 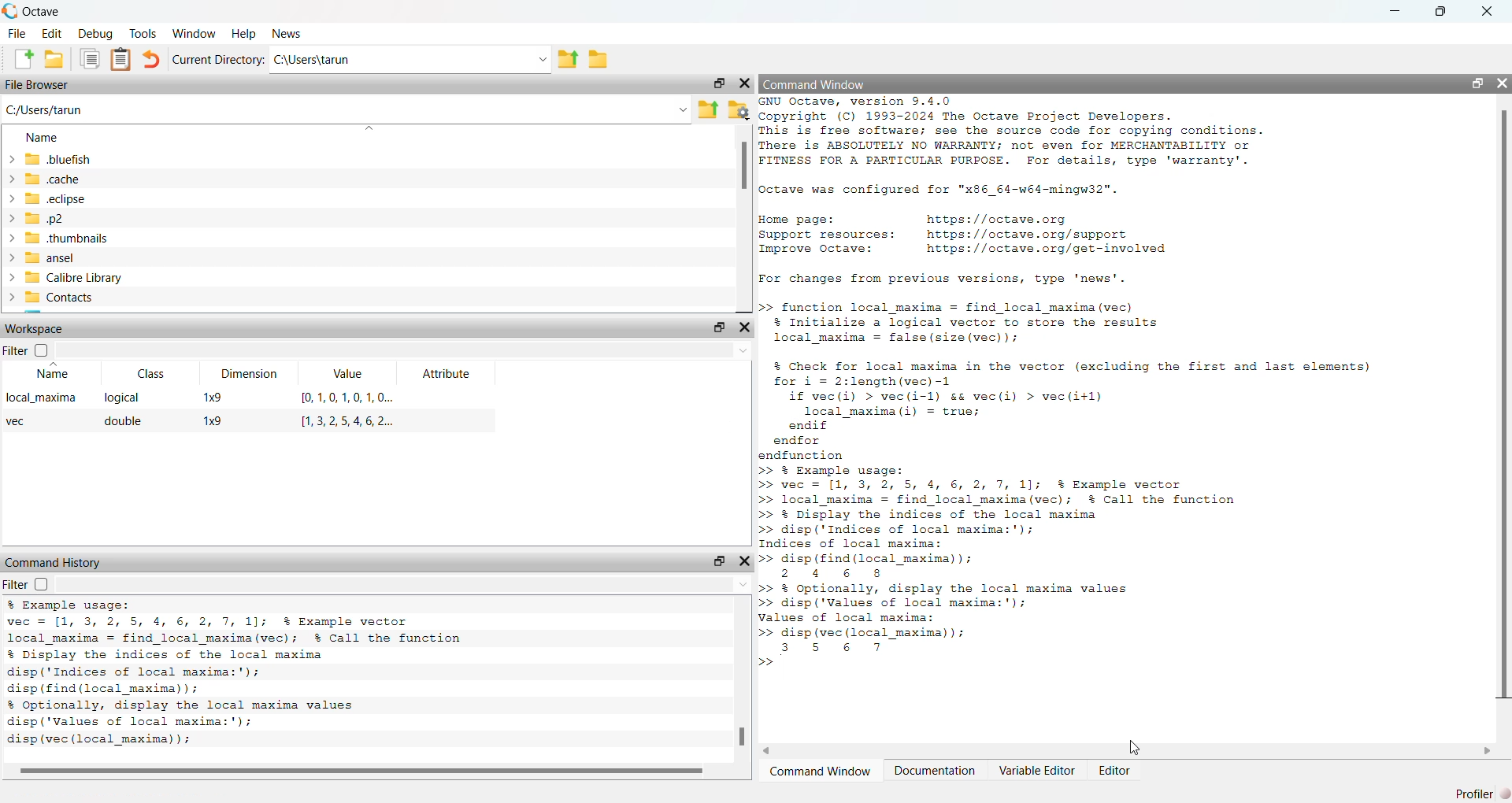 What do you see at coordinates (251, 372) in the screenshot?
I see `Dimension` at bounding box center [251, 372].